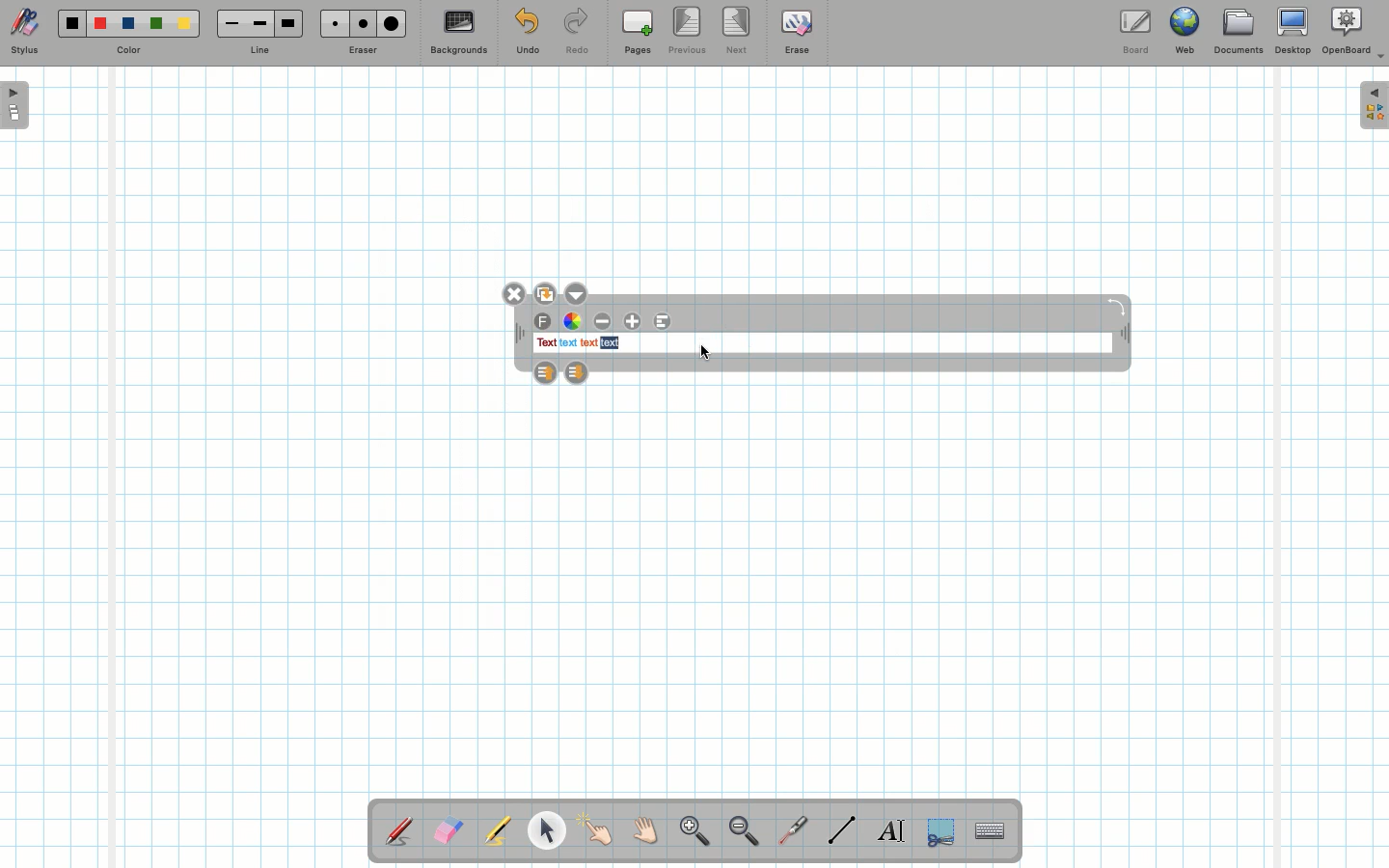 The image size is (1389, 868). What do you see at coordinates (512, 294) in the screenshot?
I see `Close` at bounding box center [512, 294].